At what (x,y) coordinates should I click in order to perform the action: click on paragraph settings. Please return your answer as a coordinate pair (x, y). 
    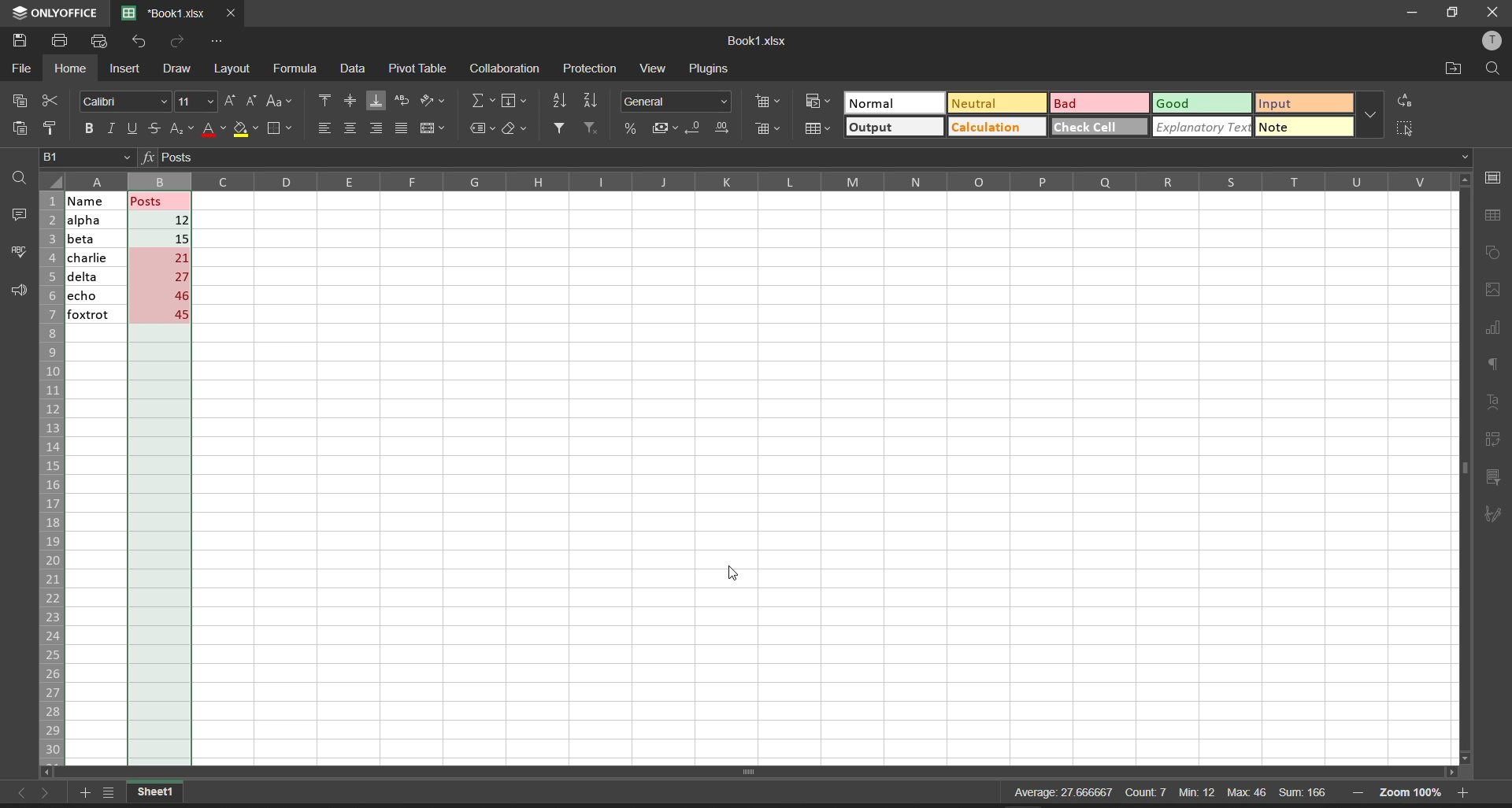
    Looking at the image, I should click on (1498, 363).